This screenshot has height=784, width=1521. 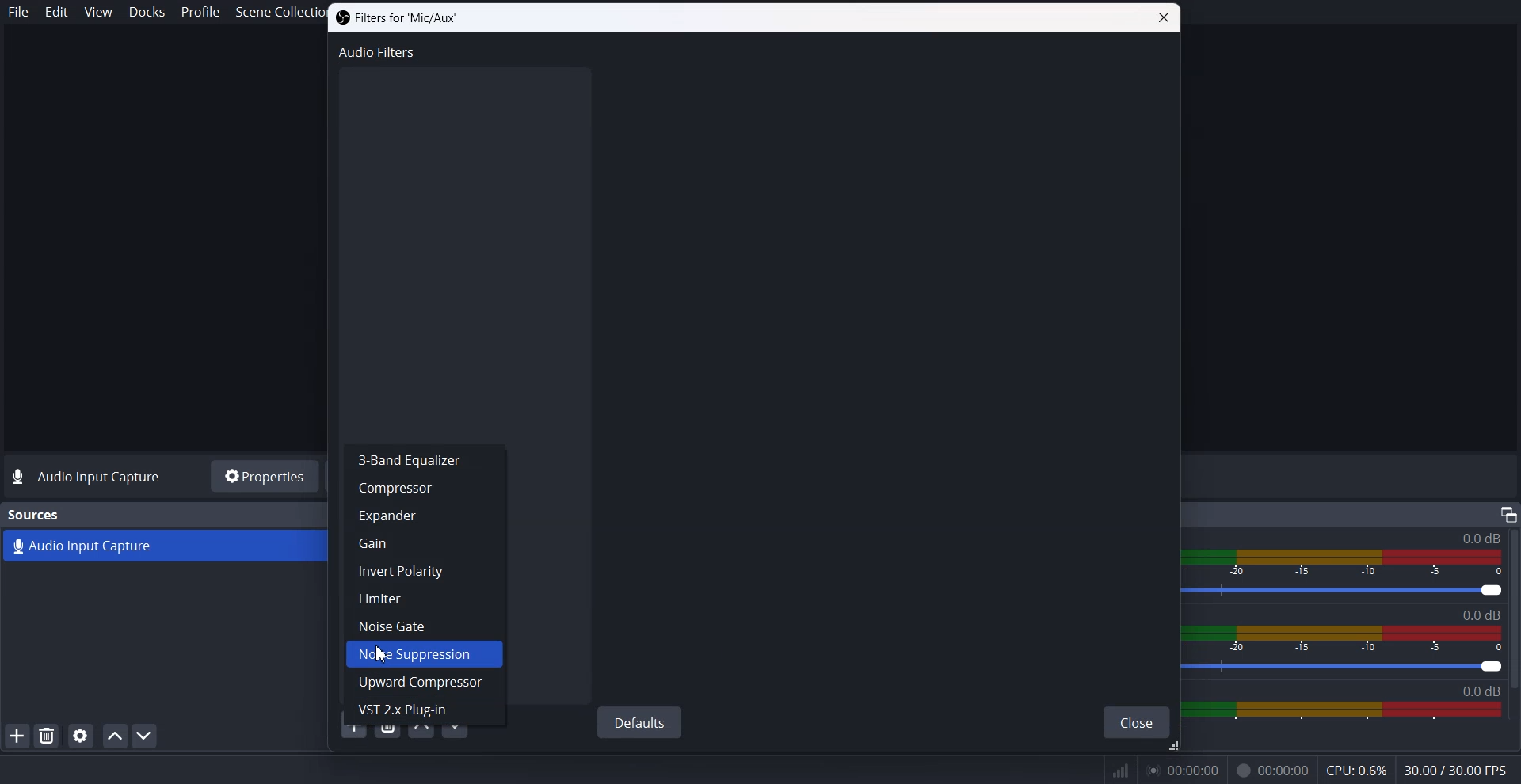 What do you see at coordinates (382, 653) in the screenshot?
I see `Cursor` at bounding box center [382, 653].